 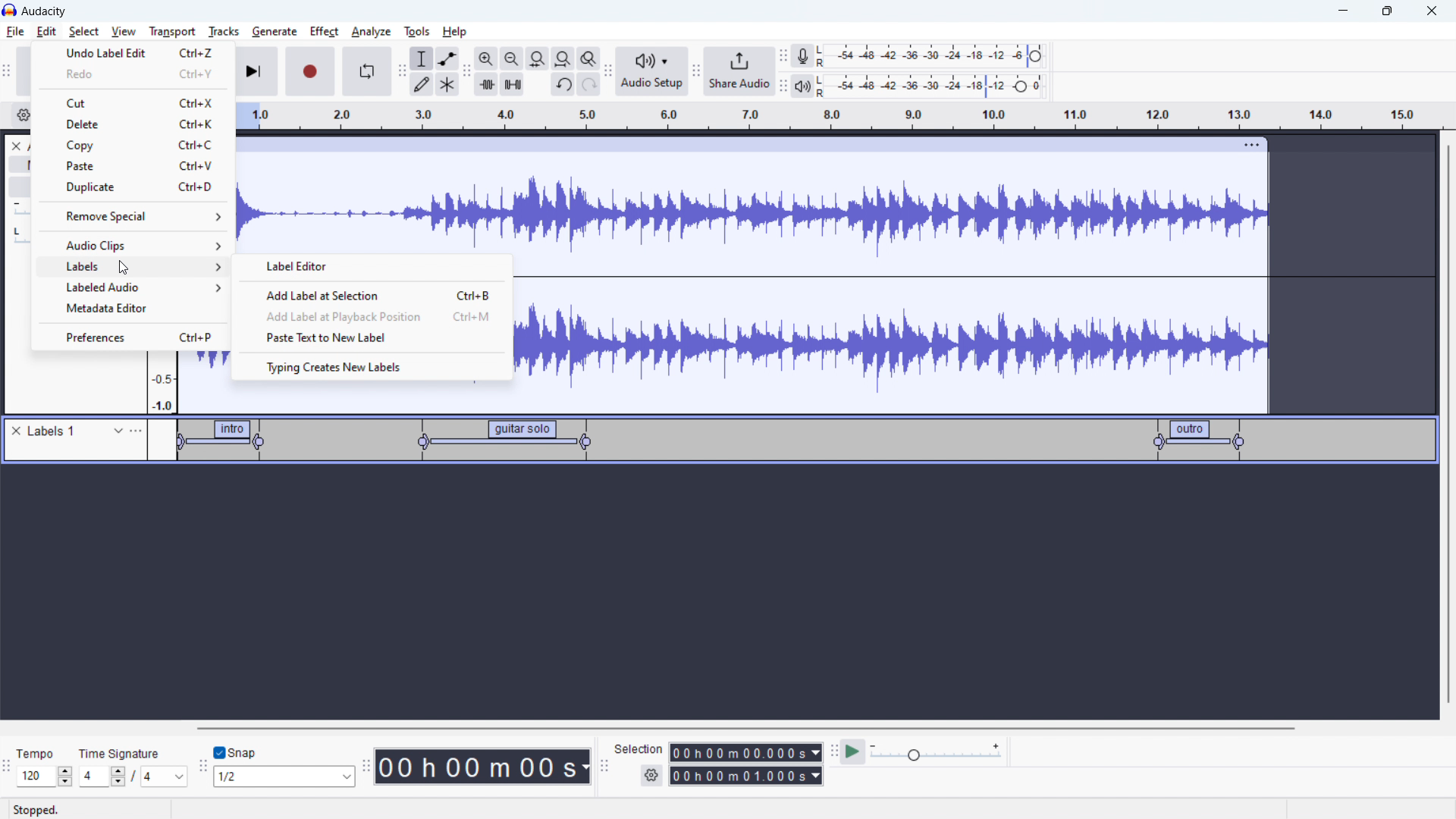 What do you see at coordinates (366, 71) in the screenshot?
I see `enable loop` at bounding box center [366, 71].